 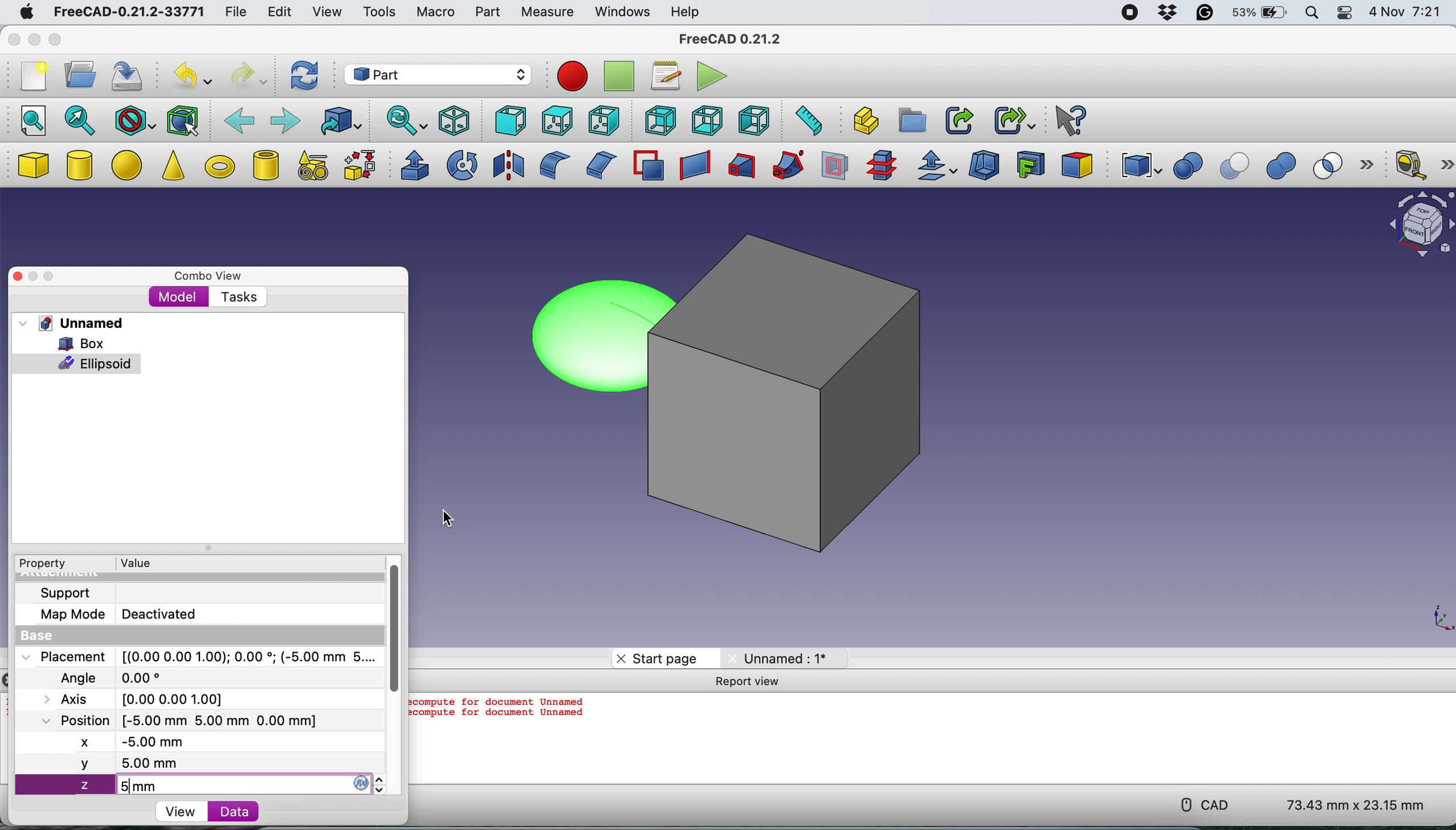 What do you see at coordinates (71, 323) in the screenshot?
I see `unnamed` at bounding box center [71, 323].